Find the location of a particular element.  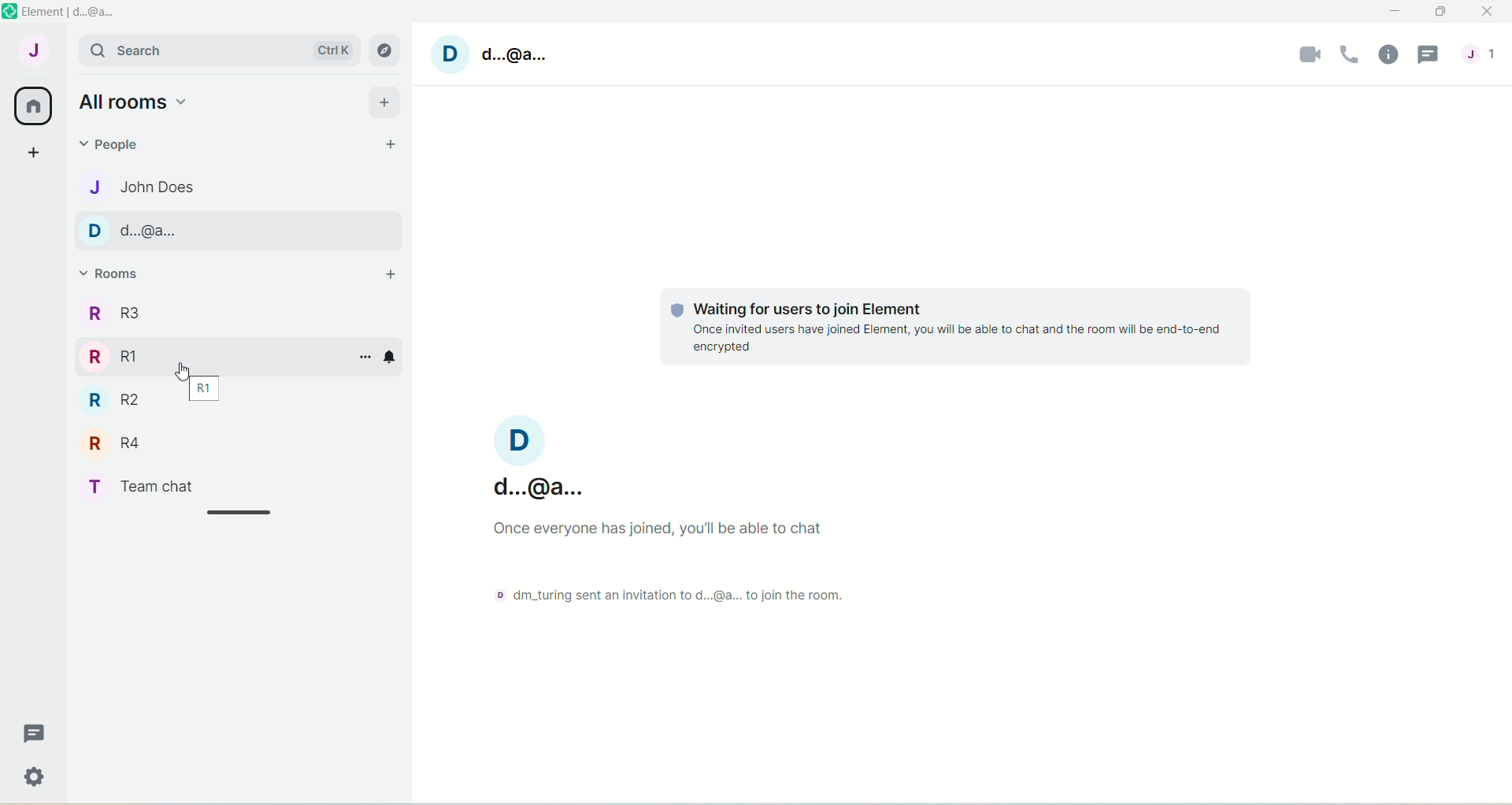

room info is located at coordinates (362, 359).